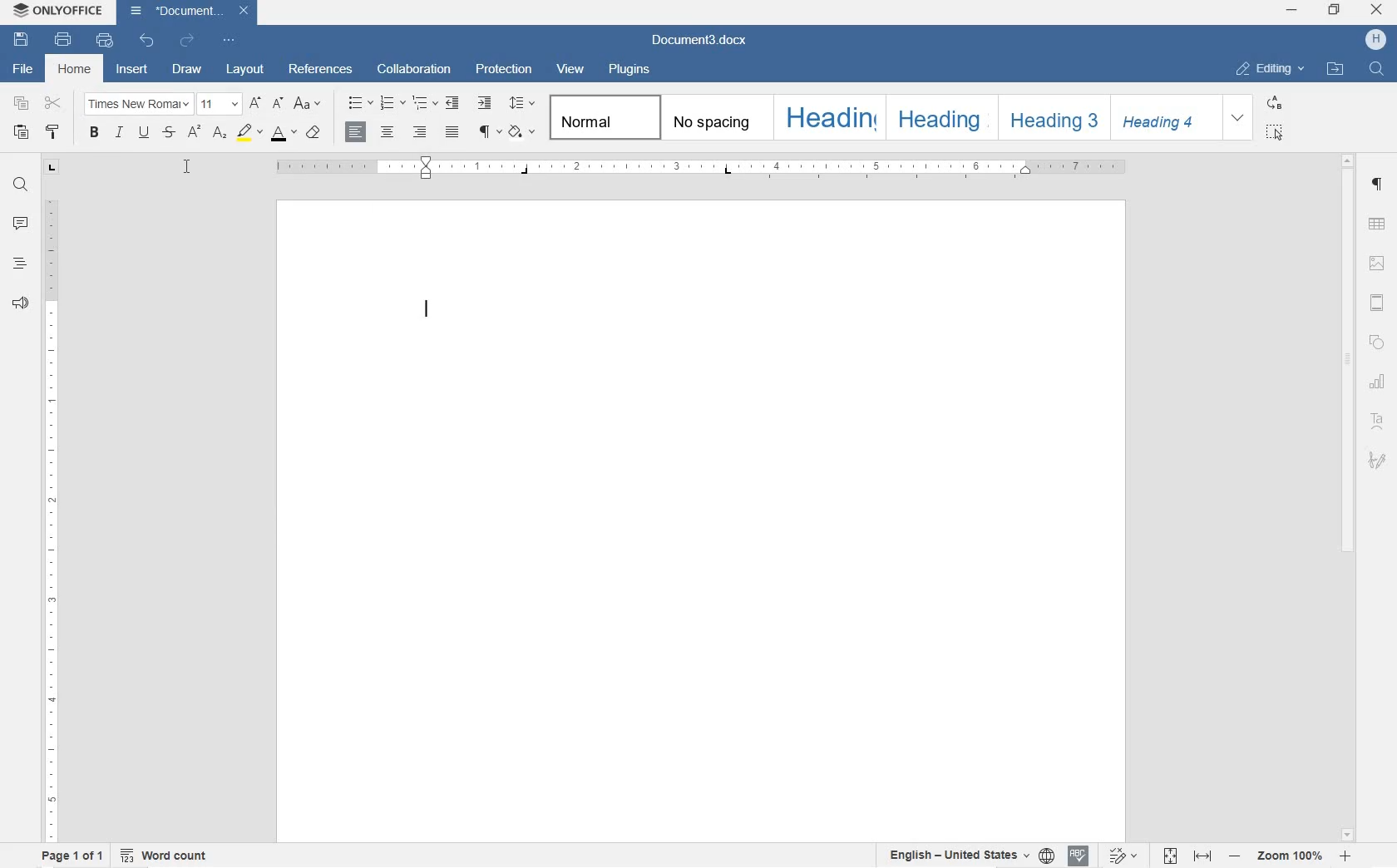 The image size is (1397, 868). I want to click on TRACK CHANGES, so click(1125, 855).